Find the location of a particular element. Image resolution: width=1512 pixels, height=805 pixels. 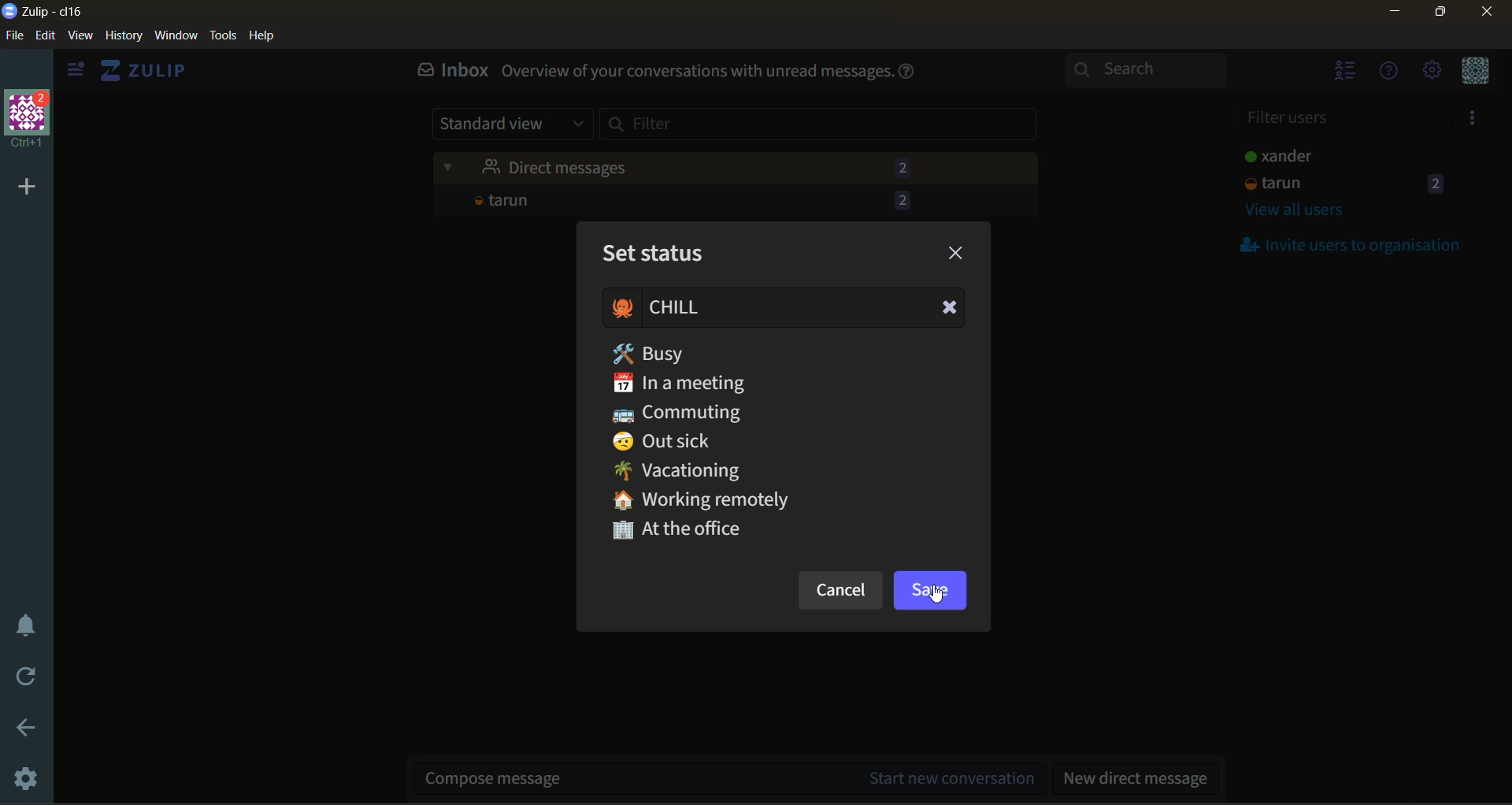

hide sidebar  is located at coordinates (73, 68).